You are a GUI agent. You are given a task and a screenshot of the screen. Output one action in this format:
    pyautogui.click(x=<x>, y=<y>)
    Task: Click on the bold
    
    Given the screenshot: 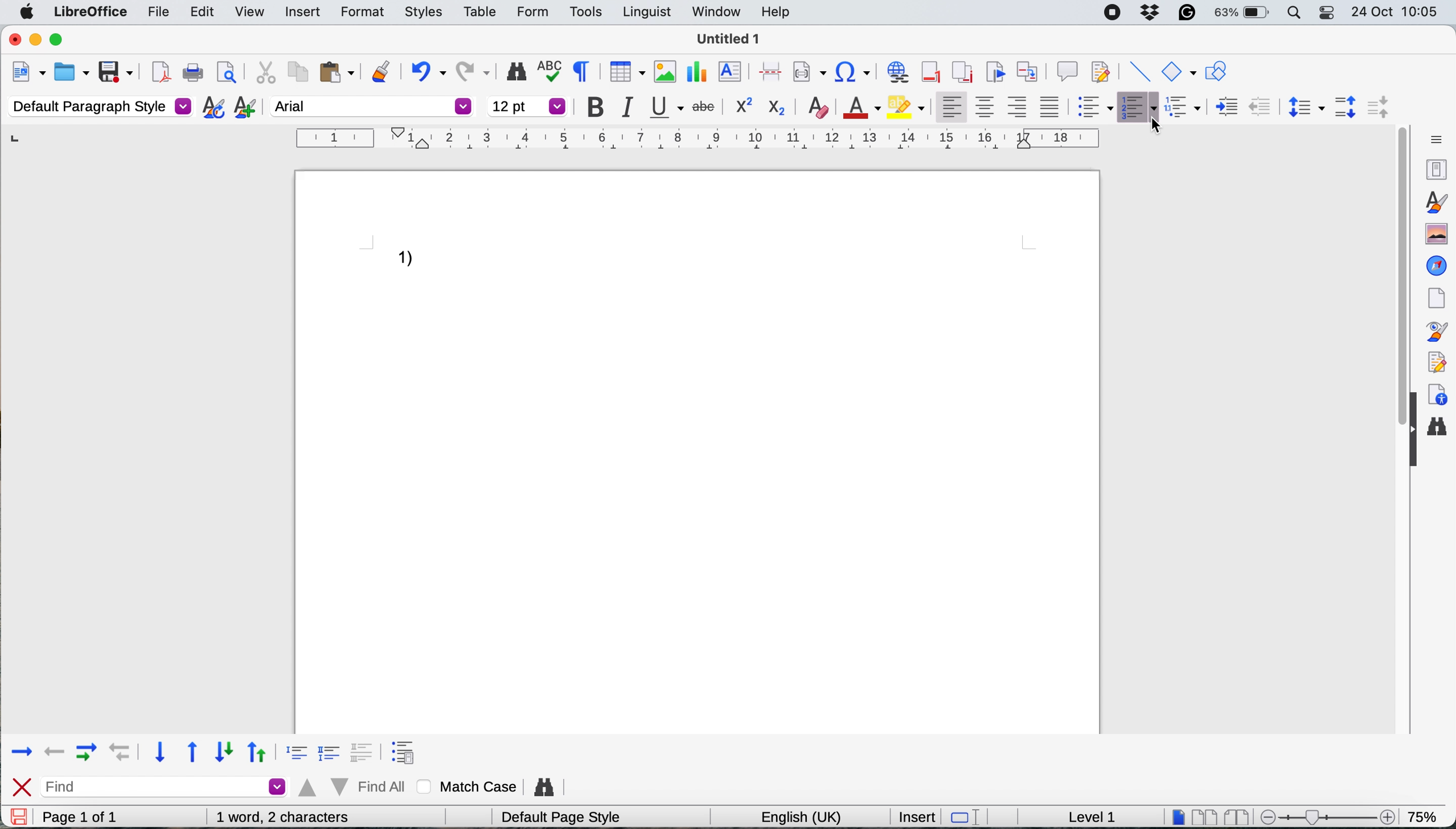 What is the action you would take?
    pyautogui.click(x=600, y=108)
    